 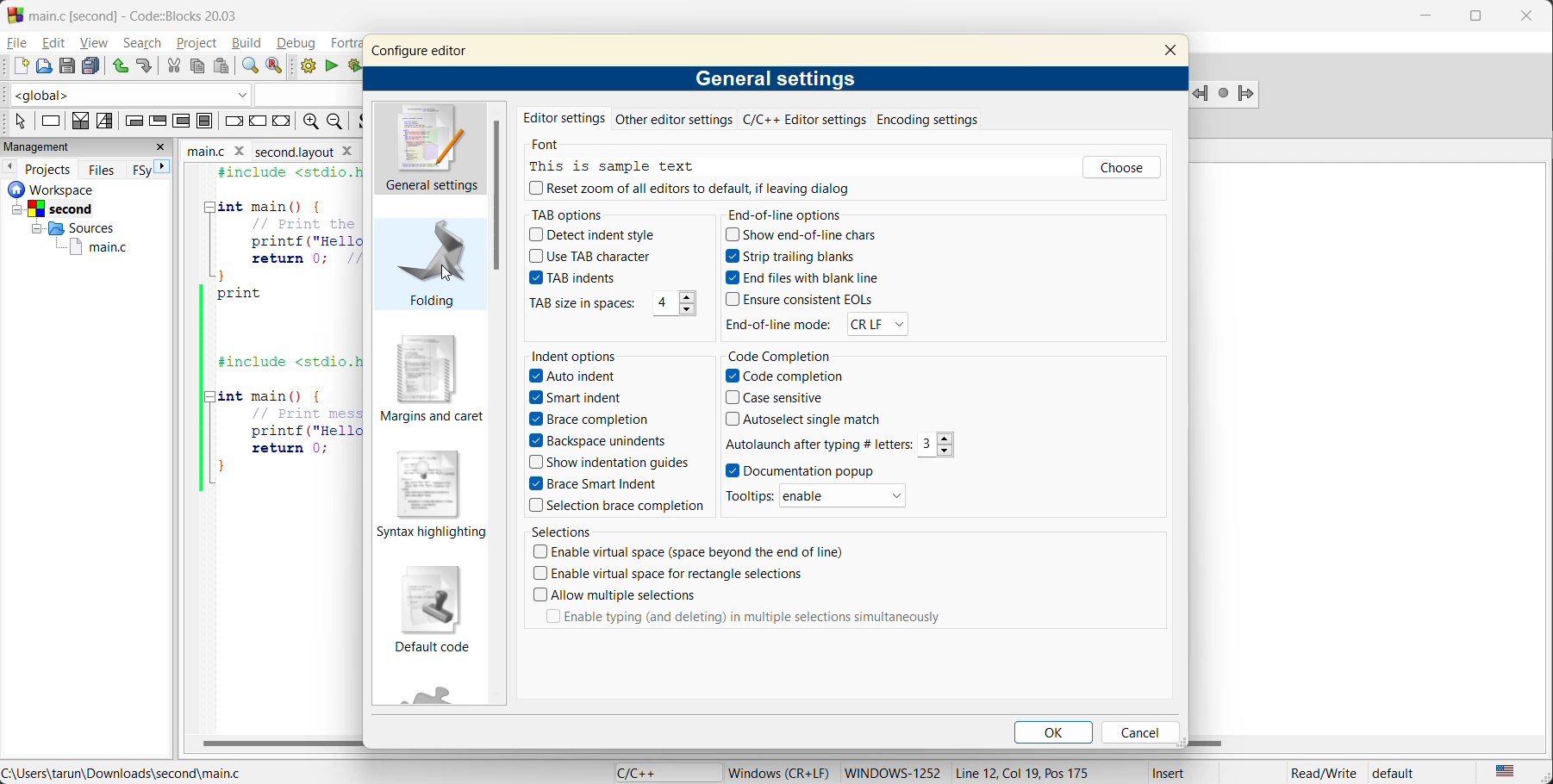 I want to click on end of line options, so click(x=790, y=215).